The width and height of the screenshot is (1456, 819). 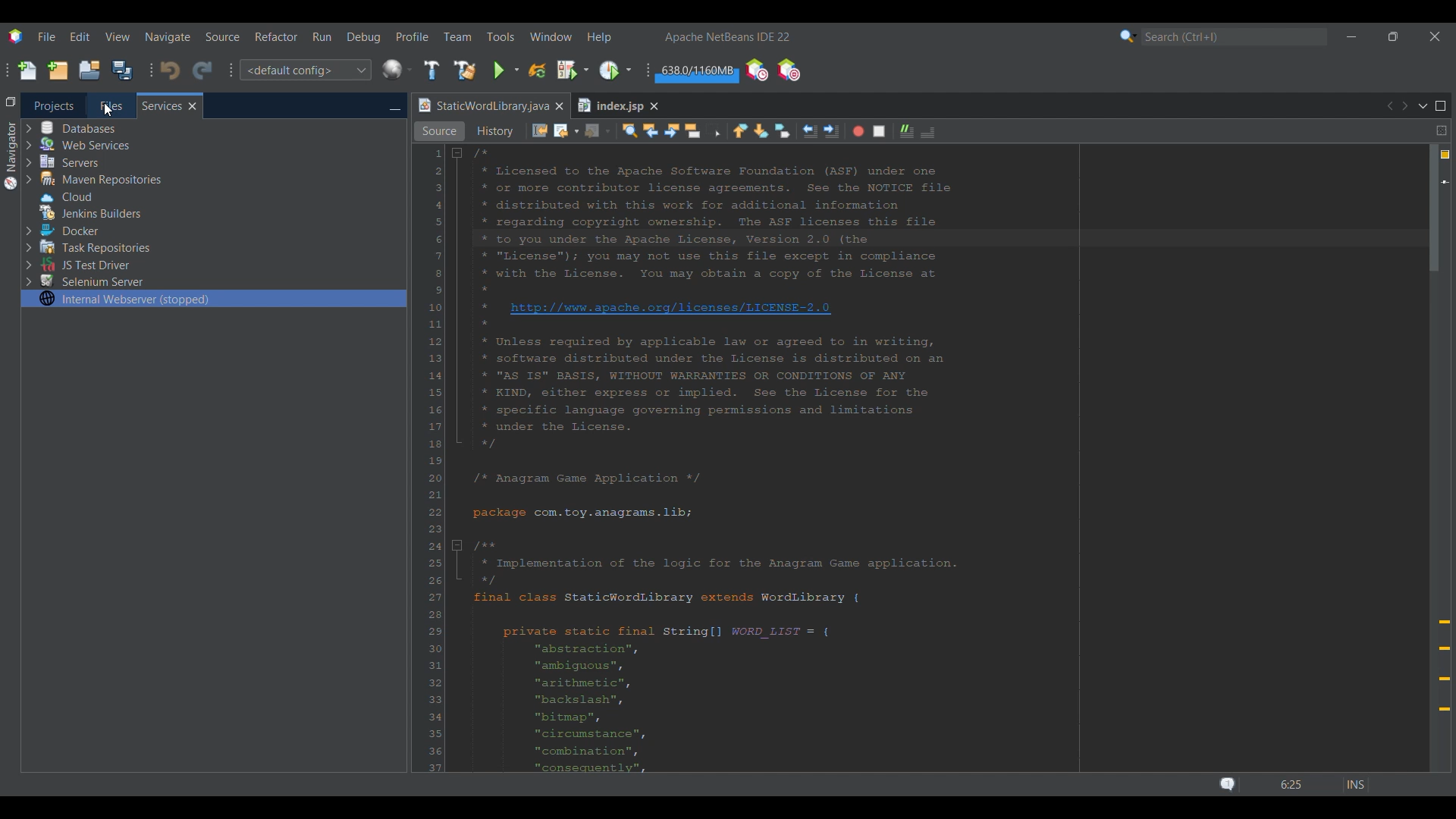 I want to click on Navigate menu, so click(x=168, y=37).